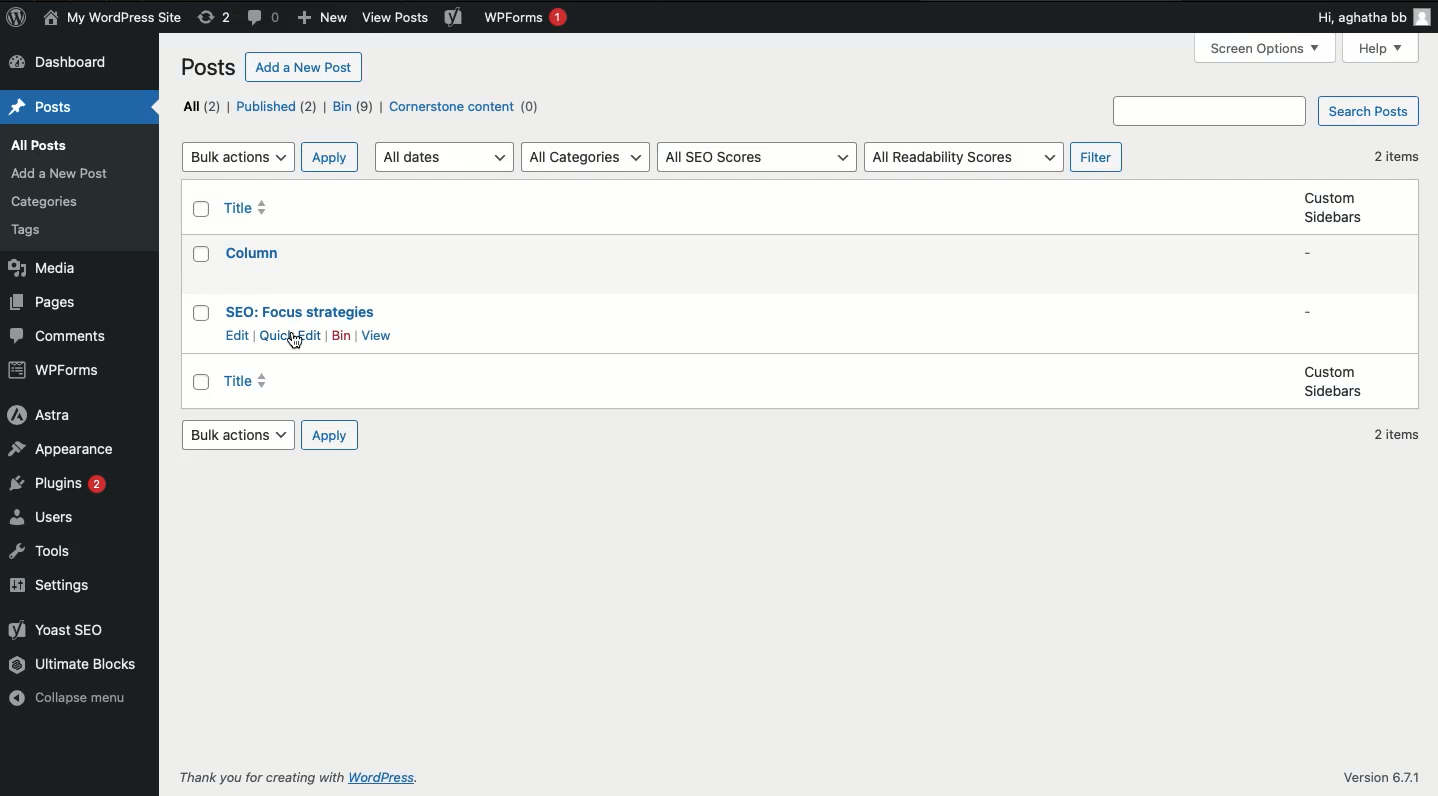 The image size is (1438, 796). What do you see at coordinates (56, 369) in the screenshot?
I see `WPForms` at bounding box center [56, 369].